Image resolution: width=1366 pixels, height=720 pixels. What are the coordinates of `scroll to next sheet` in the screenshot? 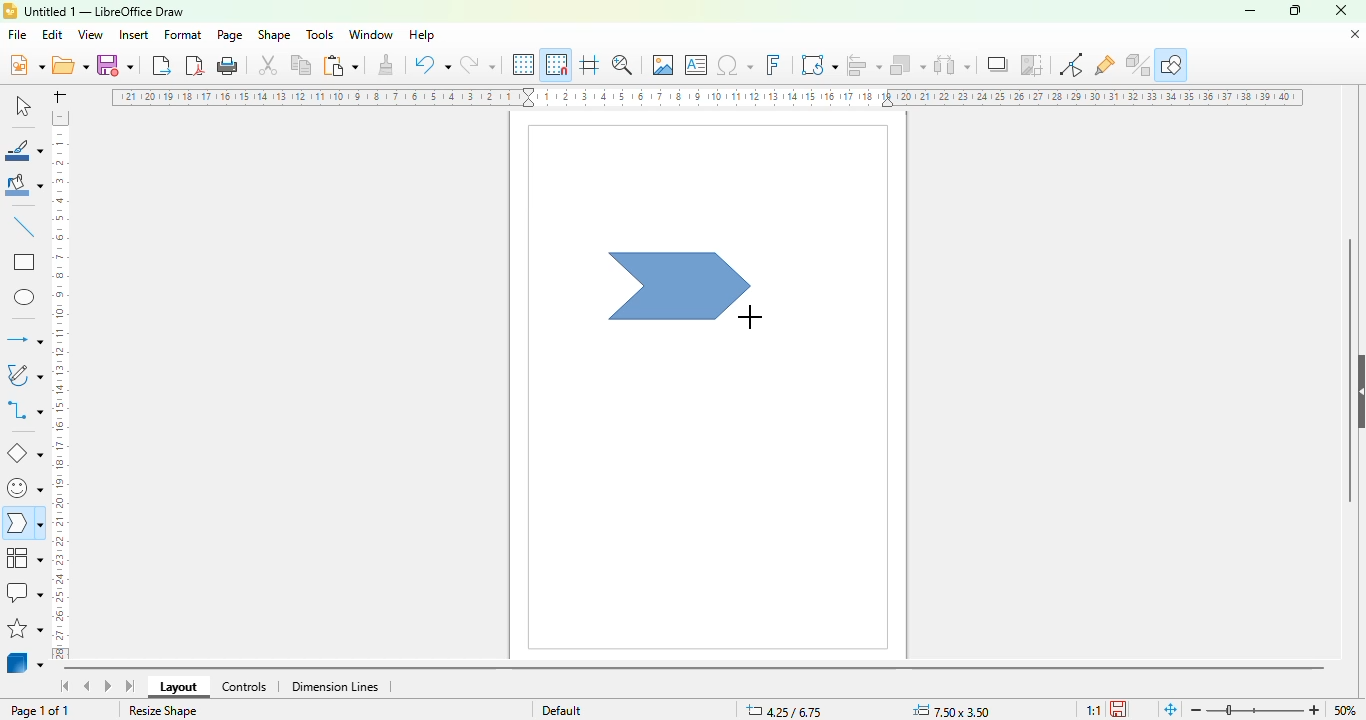 It's located at (108, 685).